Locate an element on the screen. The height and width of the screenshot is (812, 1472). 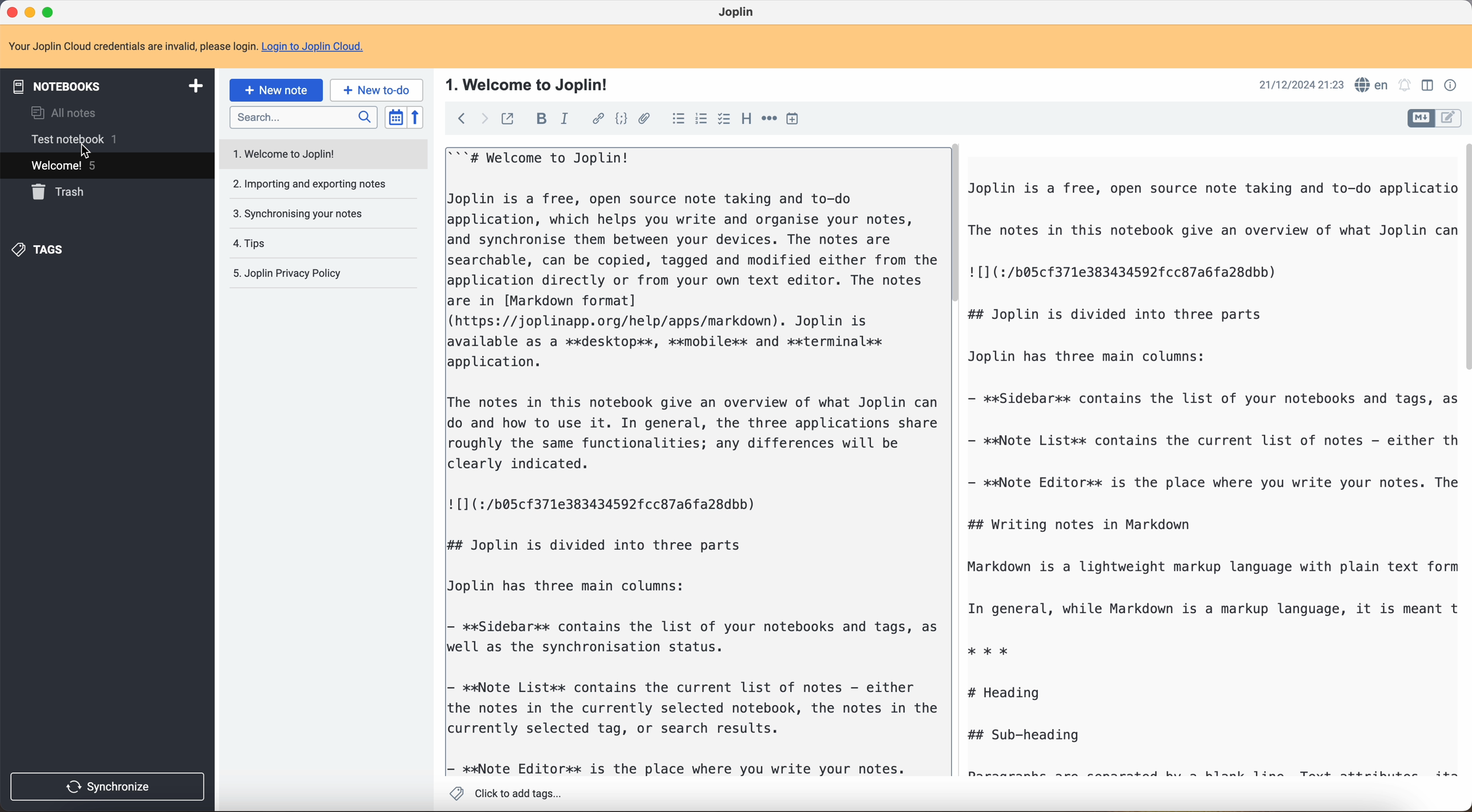
body text is located at coordinates (1211, 477).